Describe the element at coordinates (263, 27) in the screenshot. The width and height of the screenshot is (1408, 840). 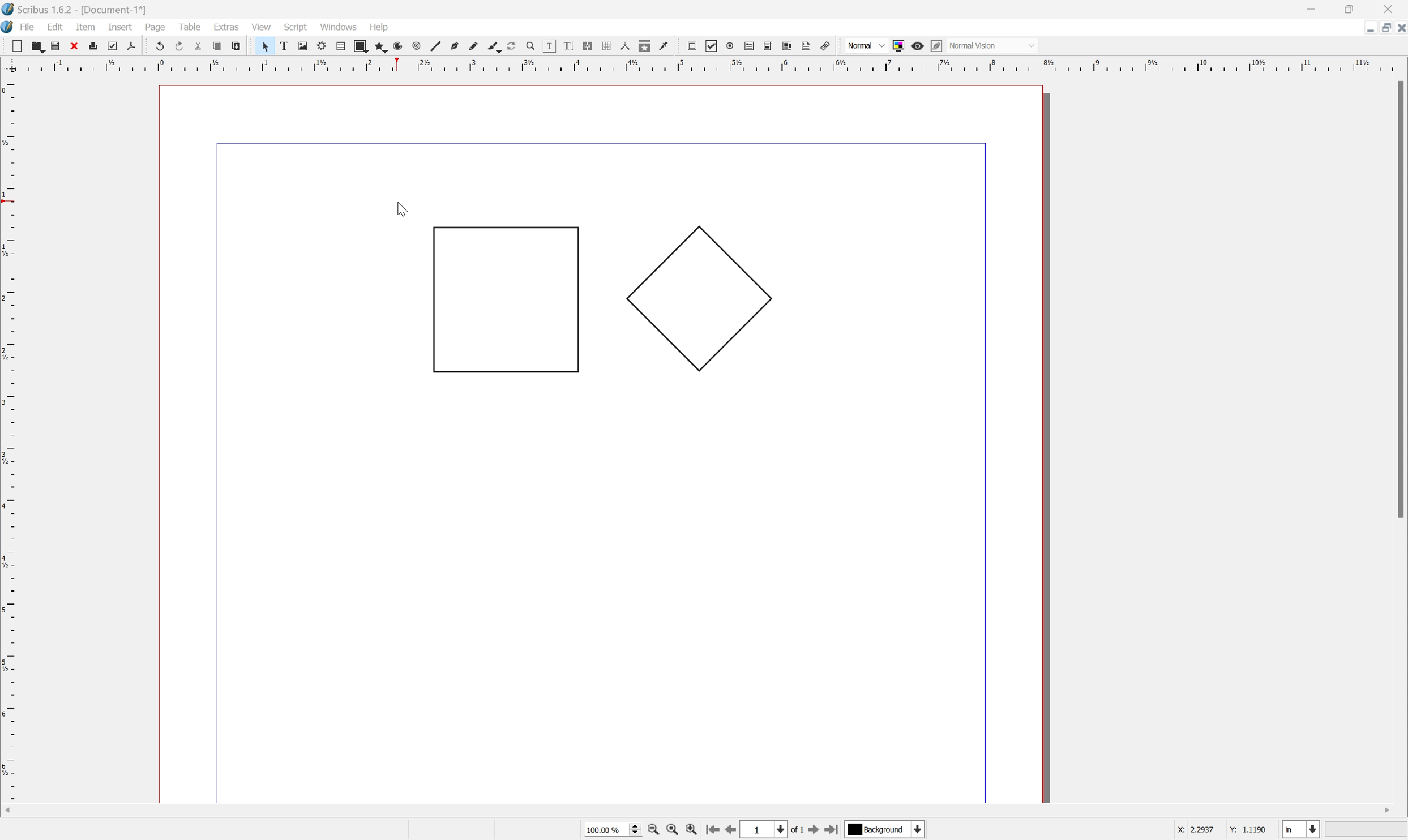
I see `view` at that location.